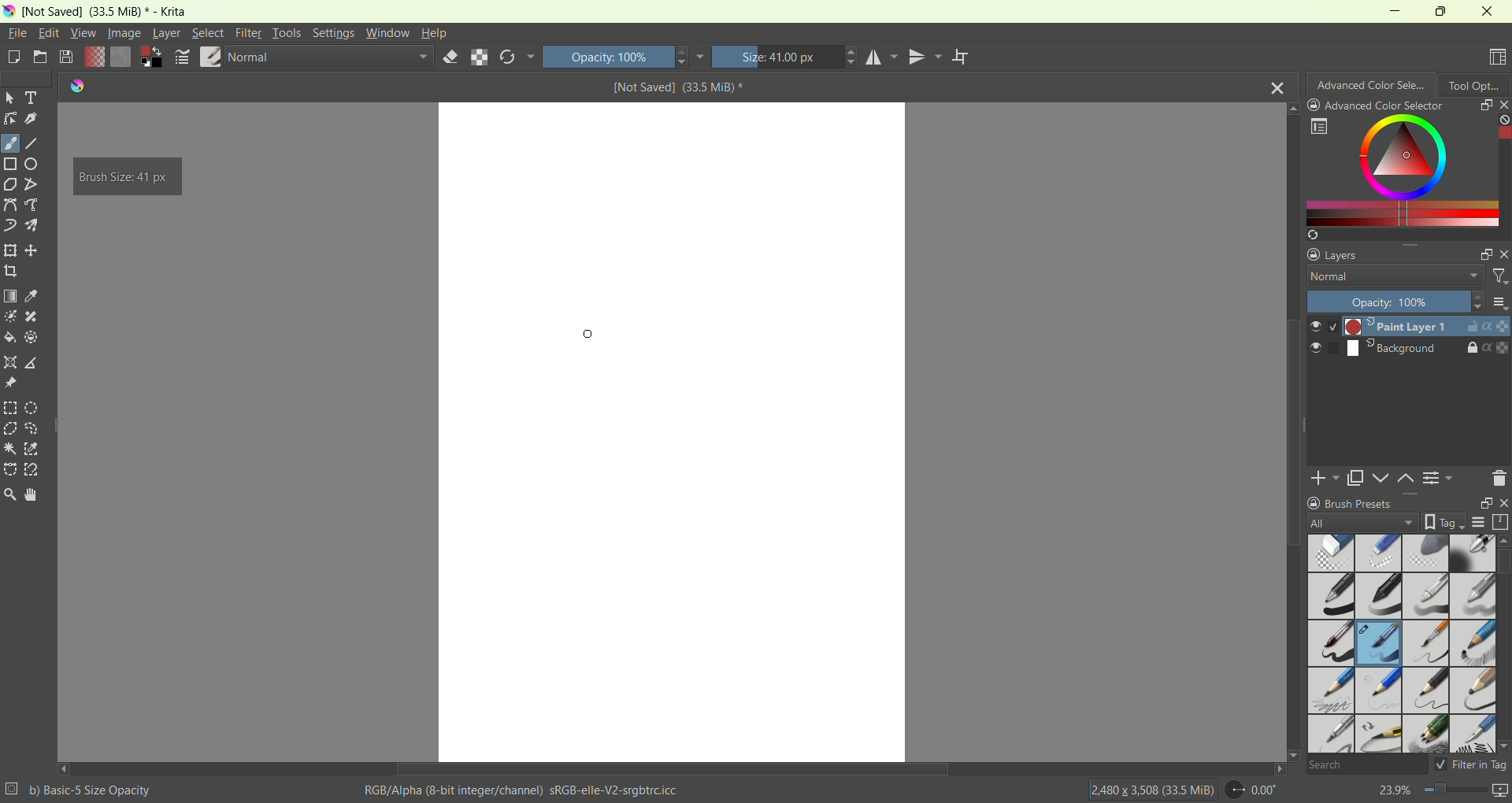 The image size is (1512, 803). What do you see at coordinates (33, 98) in the screenshot?
I see `text` at bounding box center [33, 98].